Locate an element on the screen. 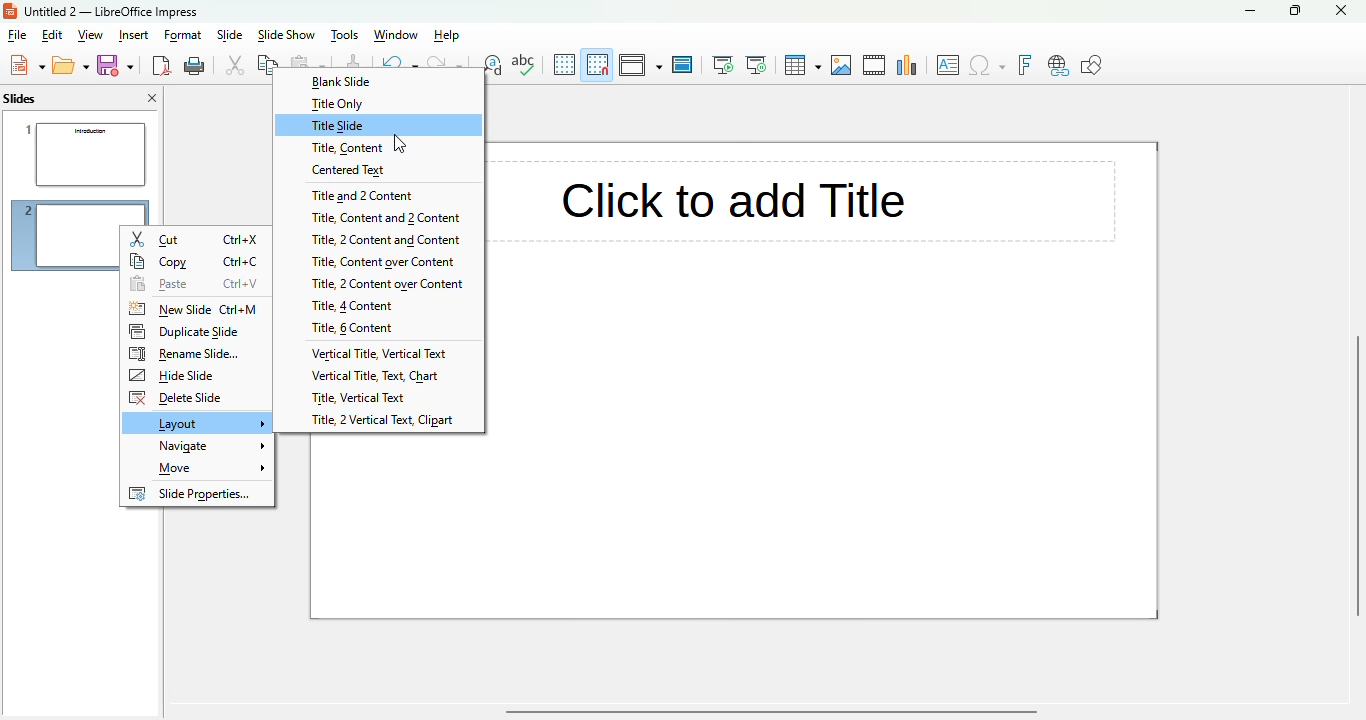 This screenshot has width=1366, height=720. new slide is located at coordinates (58, 236).